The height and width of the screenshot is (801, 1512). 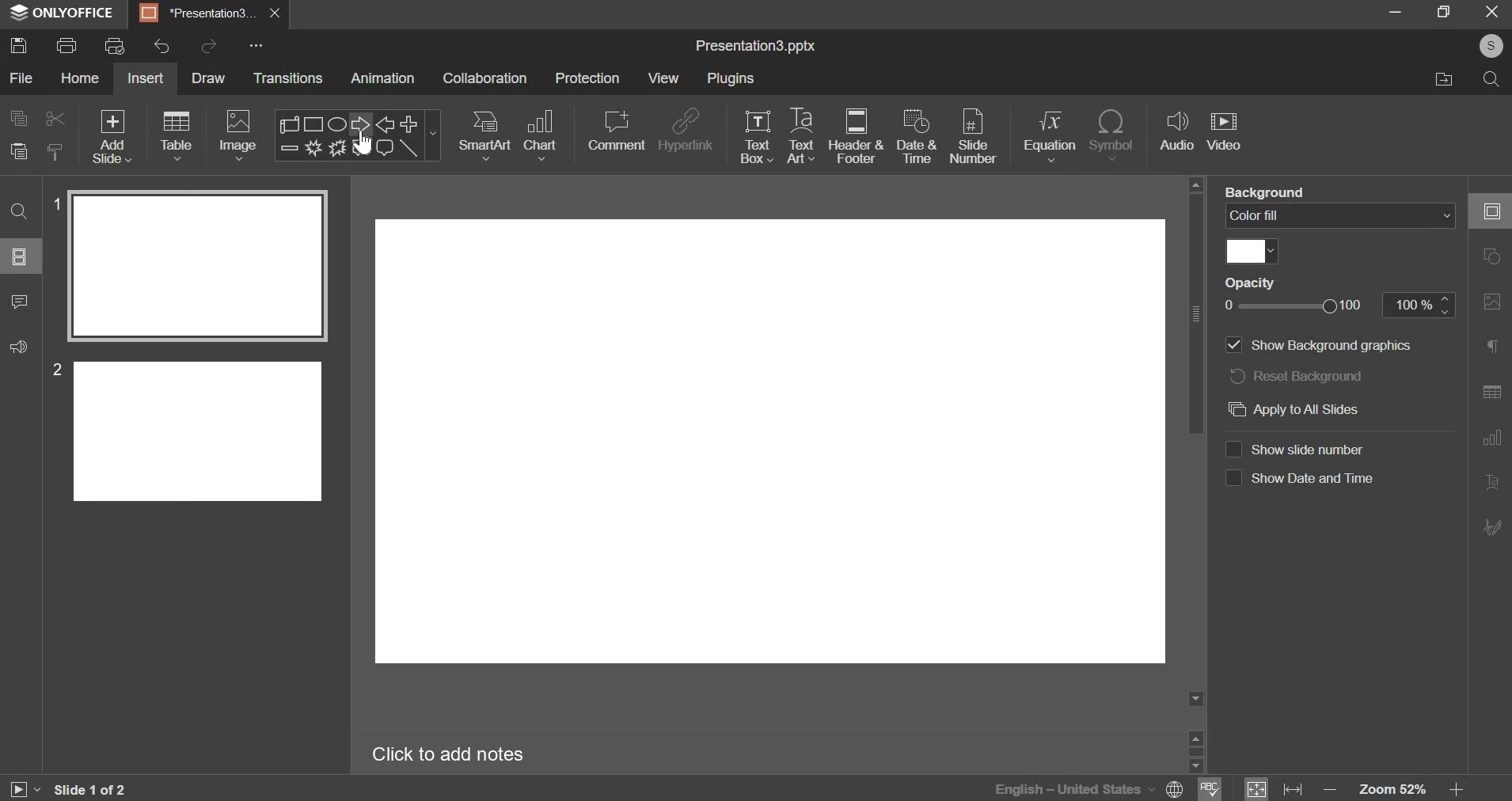 I want to click on more shapes, so click(x=435, y=138).